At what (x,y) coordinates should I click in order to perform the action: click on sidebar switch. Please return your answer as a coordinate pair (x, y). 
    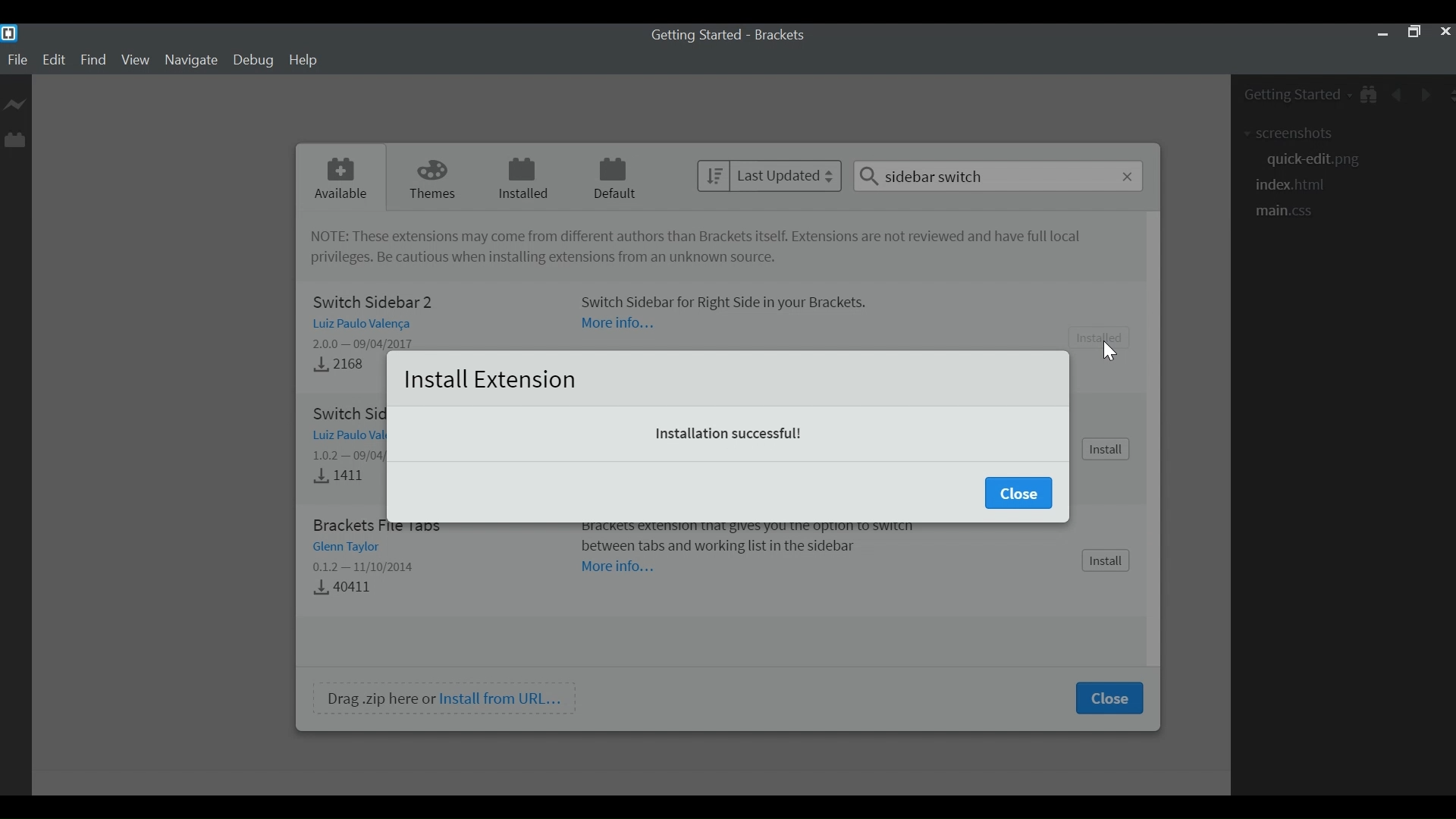
    Looking at the image, I should click on (999, 176).